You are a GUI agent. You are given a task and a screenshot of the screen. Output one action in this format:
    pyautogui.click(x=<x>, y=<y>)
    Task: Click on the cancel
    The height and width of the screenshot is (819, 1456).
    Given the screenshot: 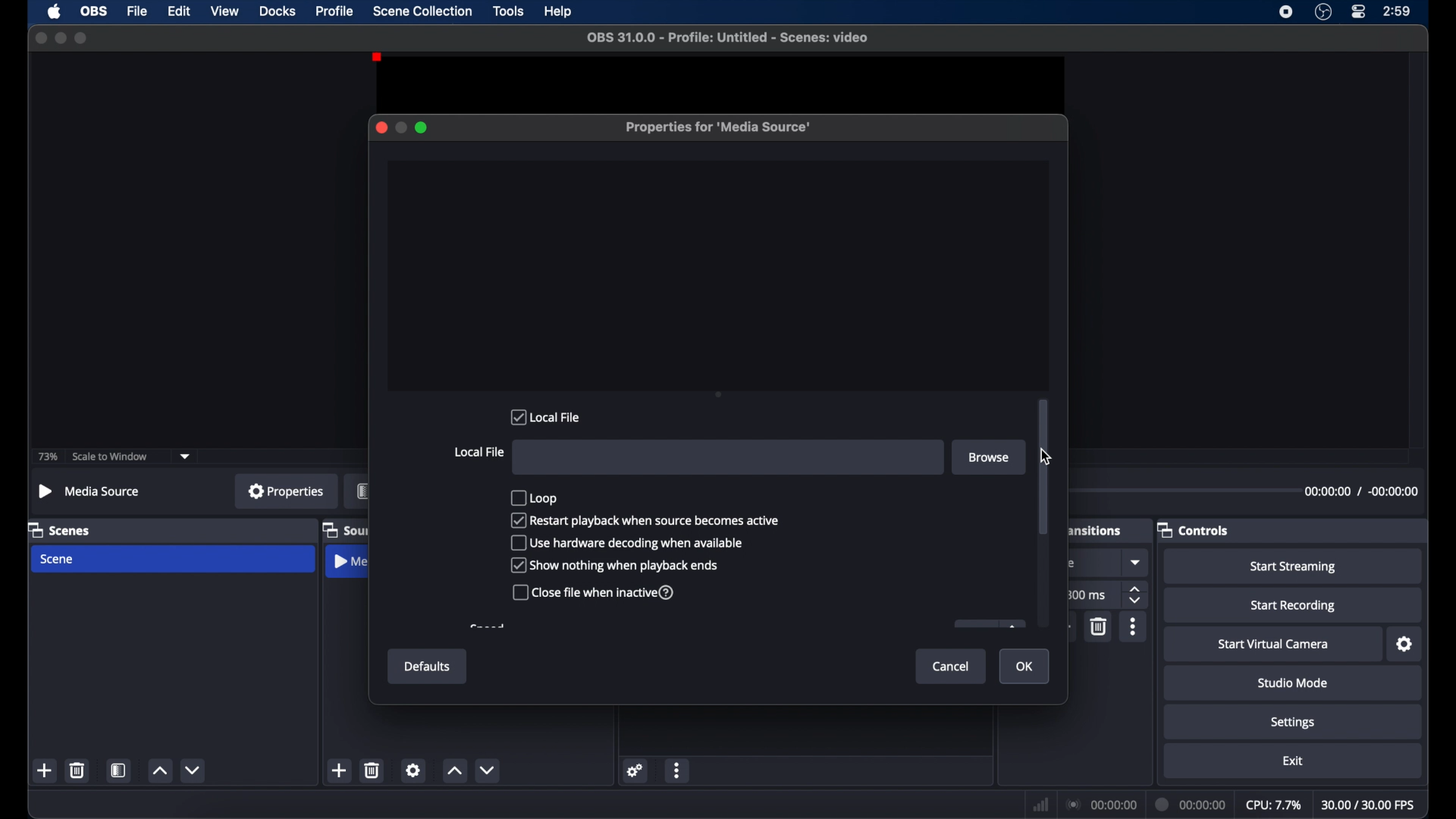 What is the action you would take?
    pyautogui.click(x=952, y=667)
    